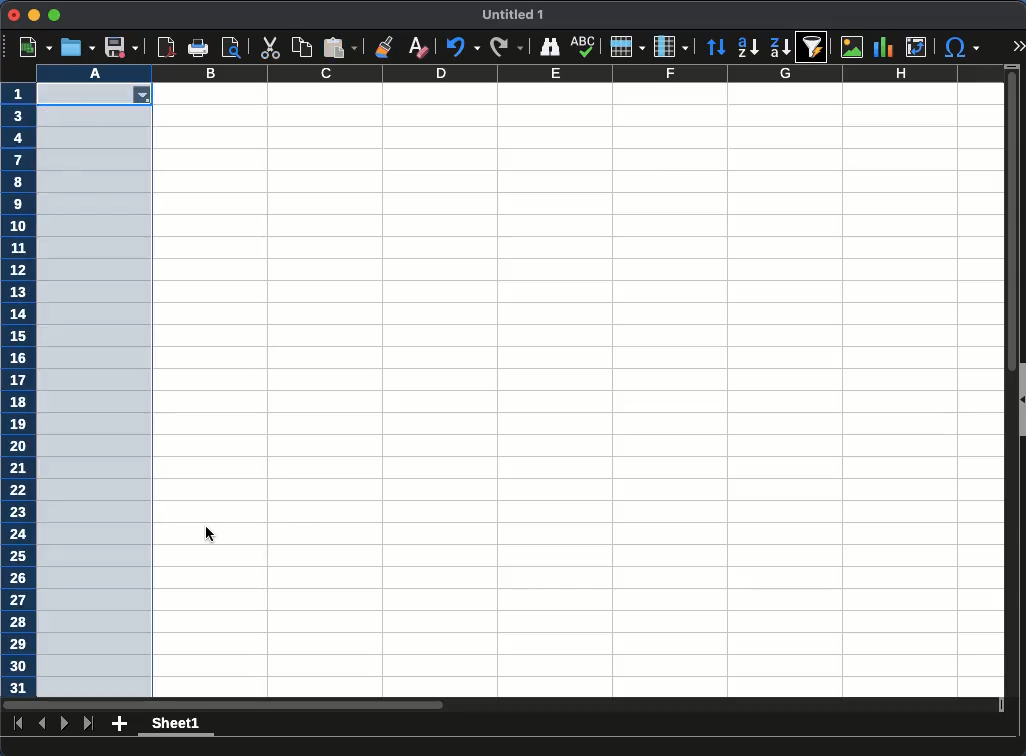  I want to click on redo, so click(505, 48).